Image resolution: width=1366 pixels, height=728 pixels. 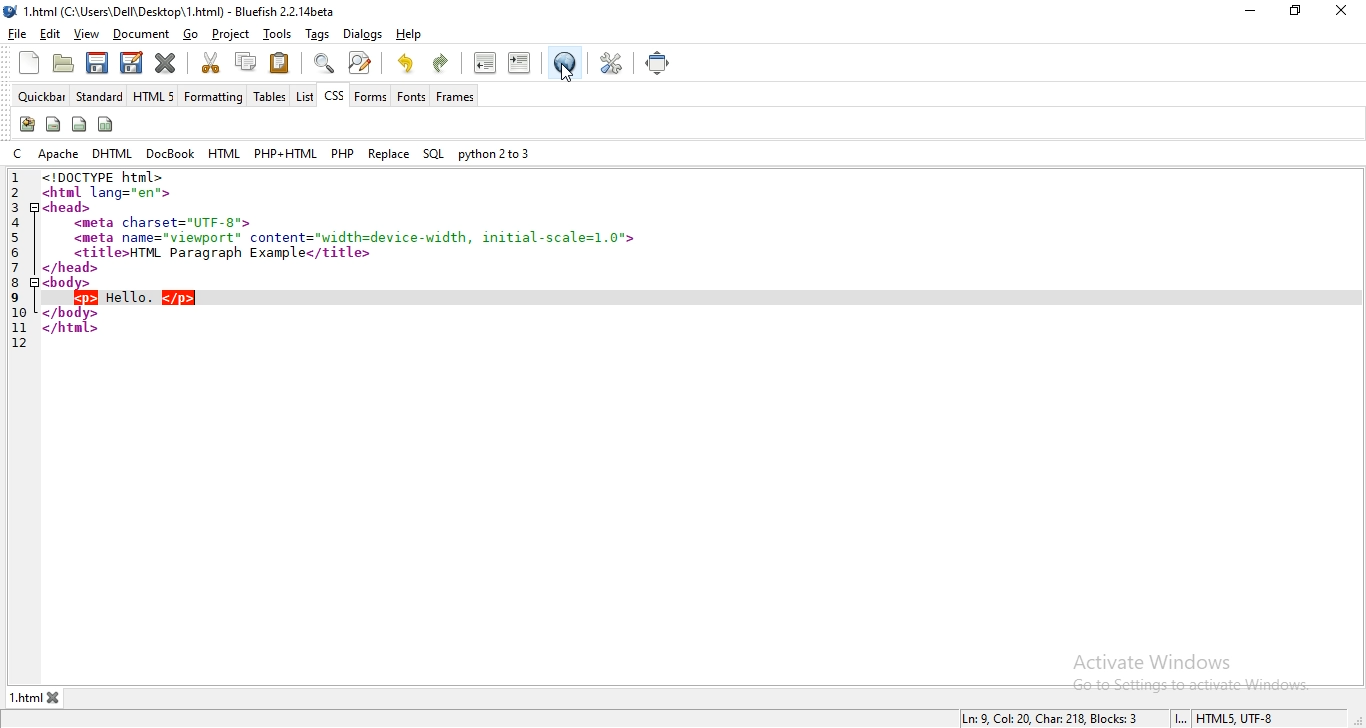 I want to click on columns, so click(x=107, y=123).